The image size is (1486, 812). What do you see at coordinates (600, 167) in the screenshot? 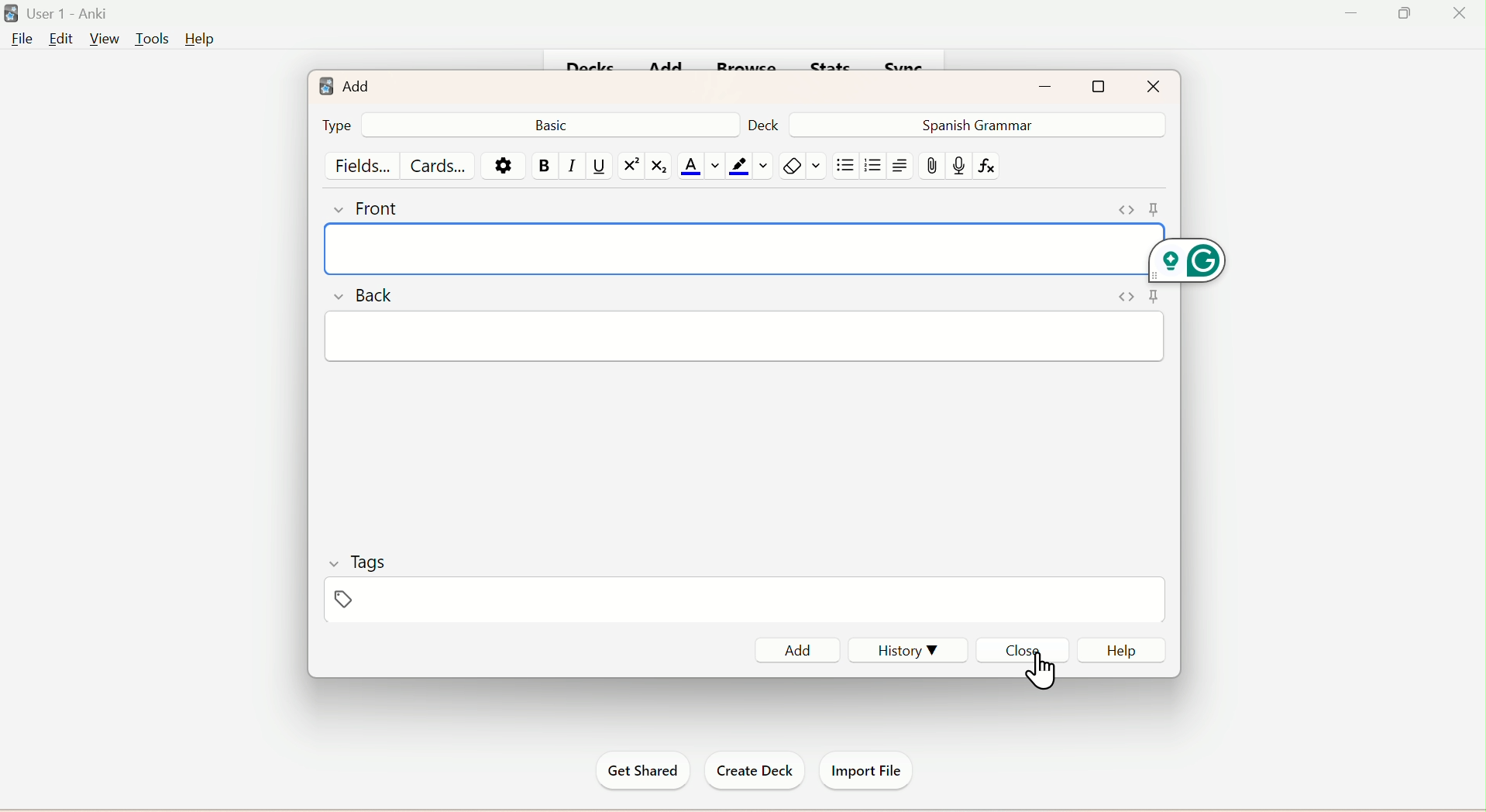
I see `Underline` at bounding box center [600, 167].